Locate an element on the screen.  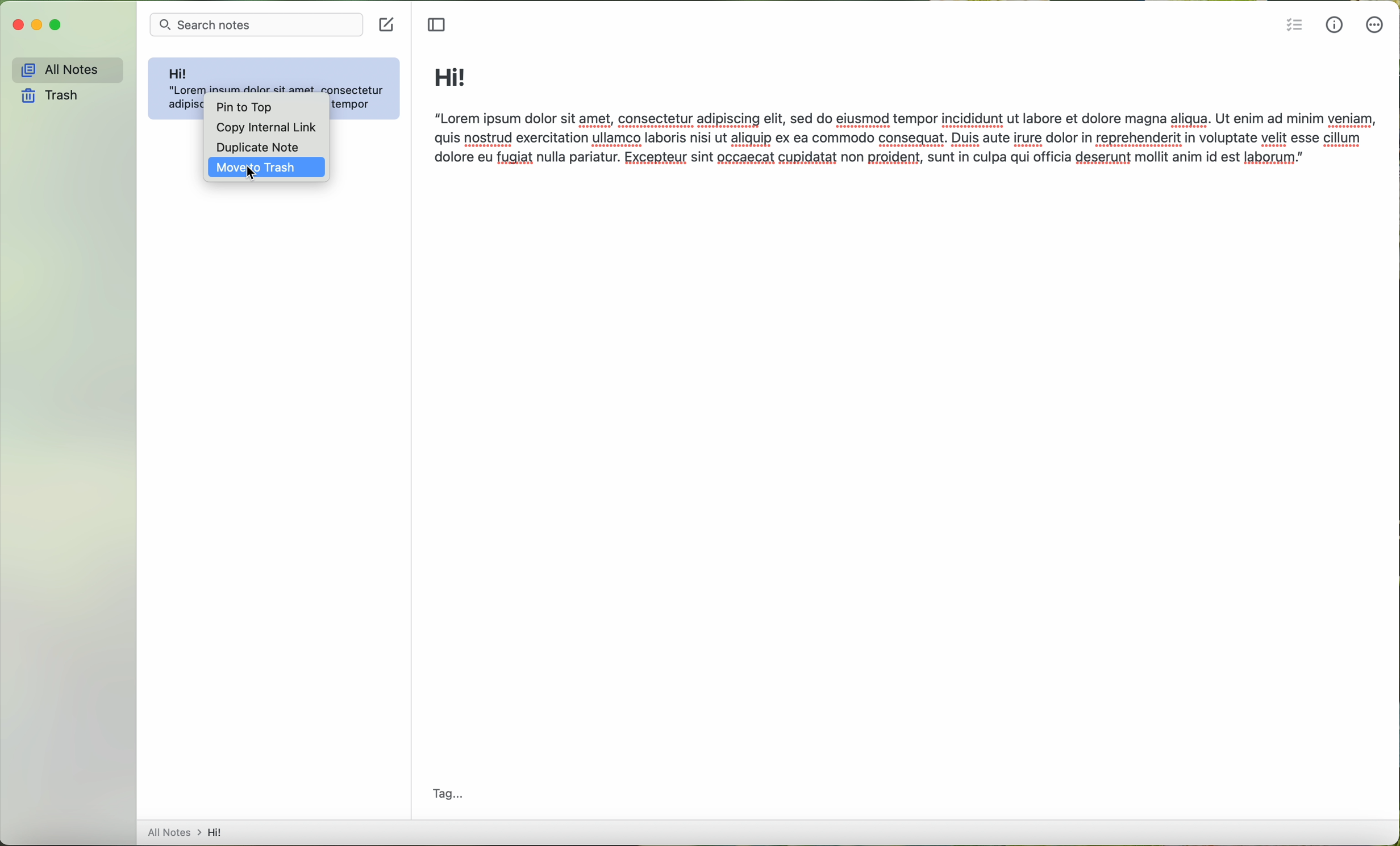
maximize Simplenote is located at coordinates (60, 25).